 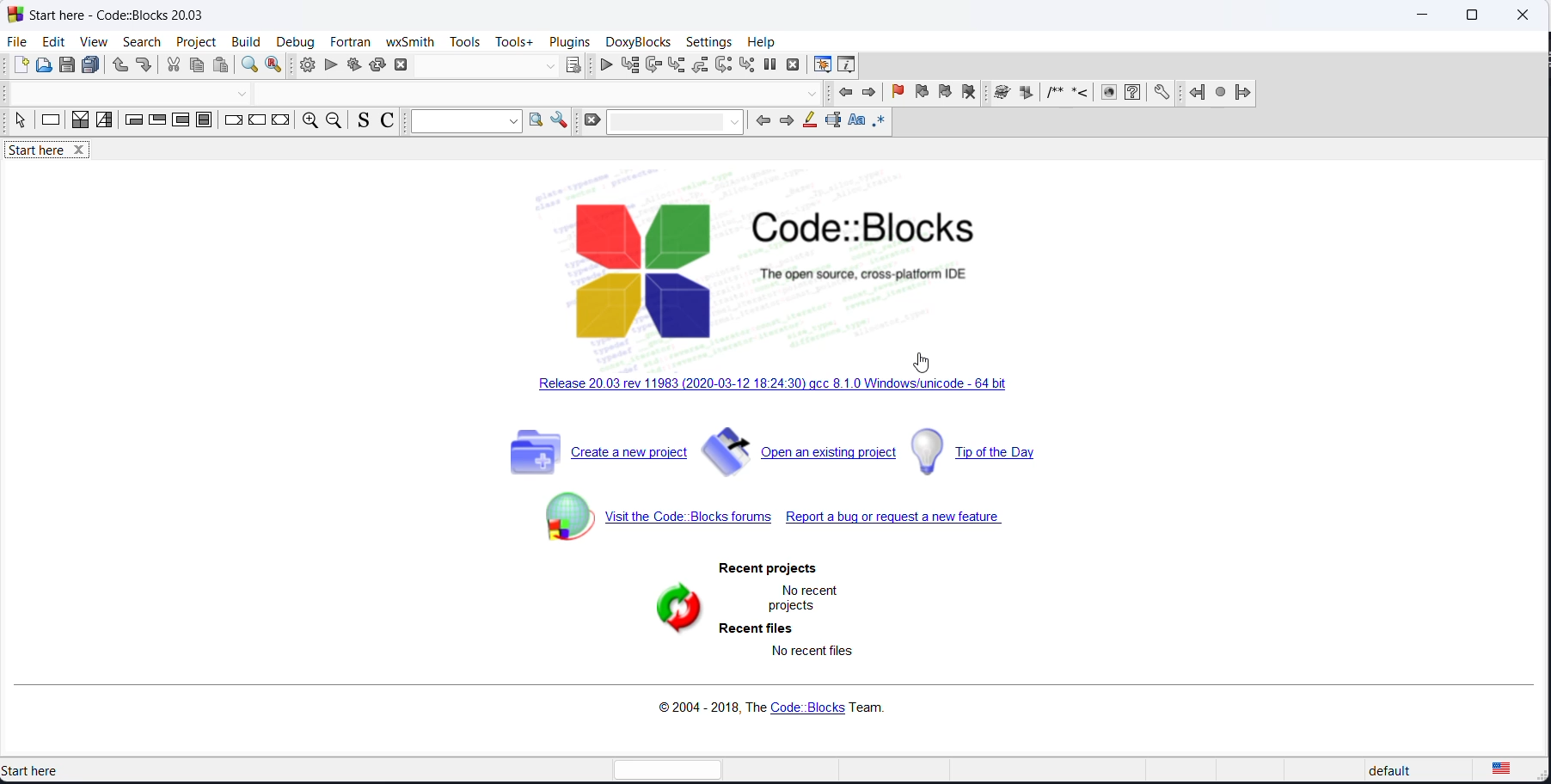 What do you see at coordinates (656, 65) in the screenshot?
I see `next line` at bounding box center [656, 65].